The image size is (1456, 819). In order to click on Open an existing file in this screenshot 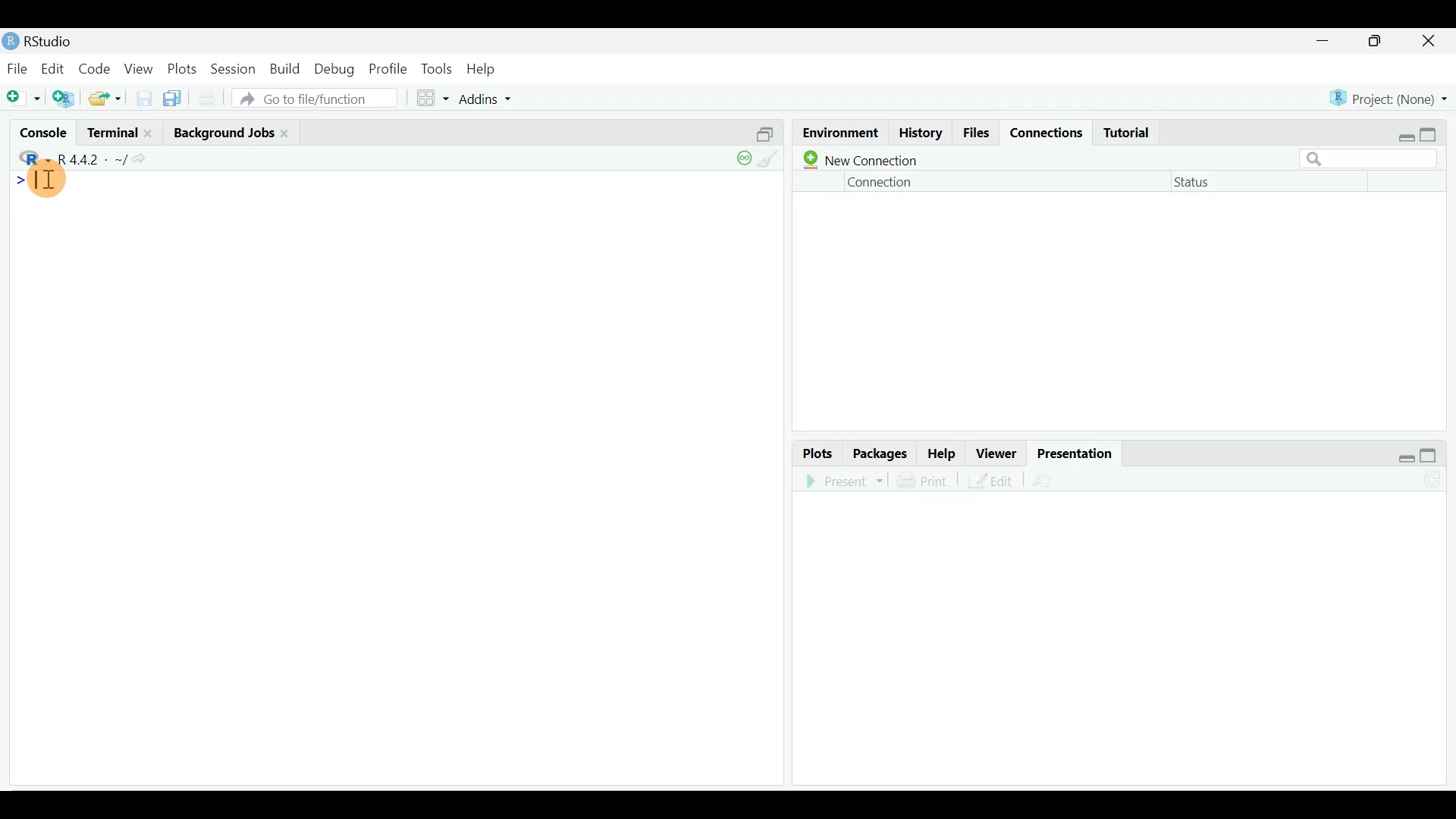, I will do `click(106, 100)`.